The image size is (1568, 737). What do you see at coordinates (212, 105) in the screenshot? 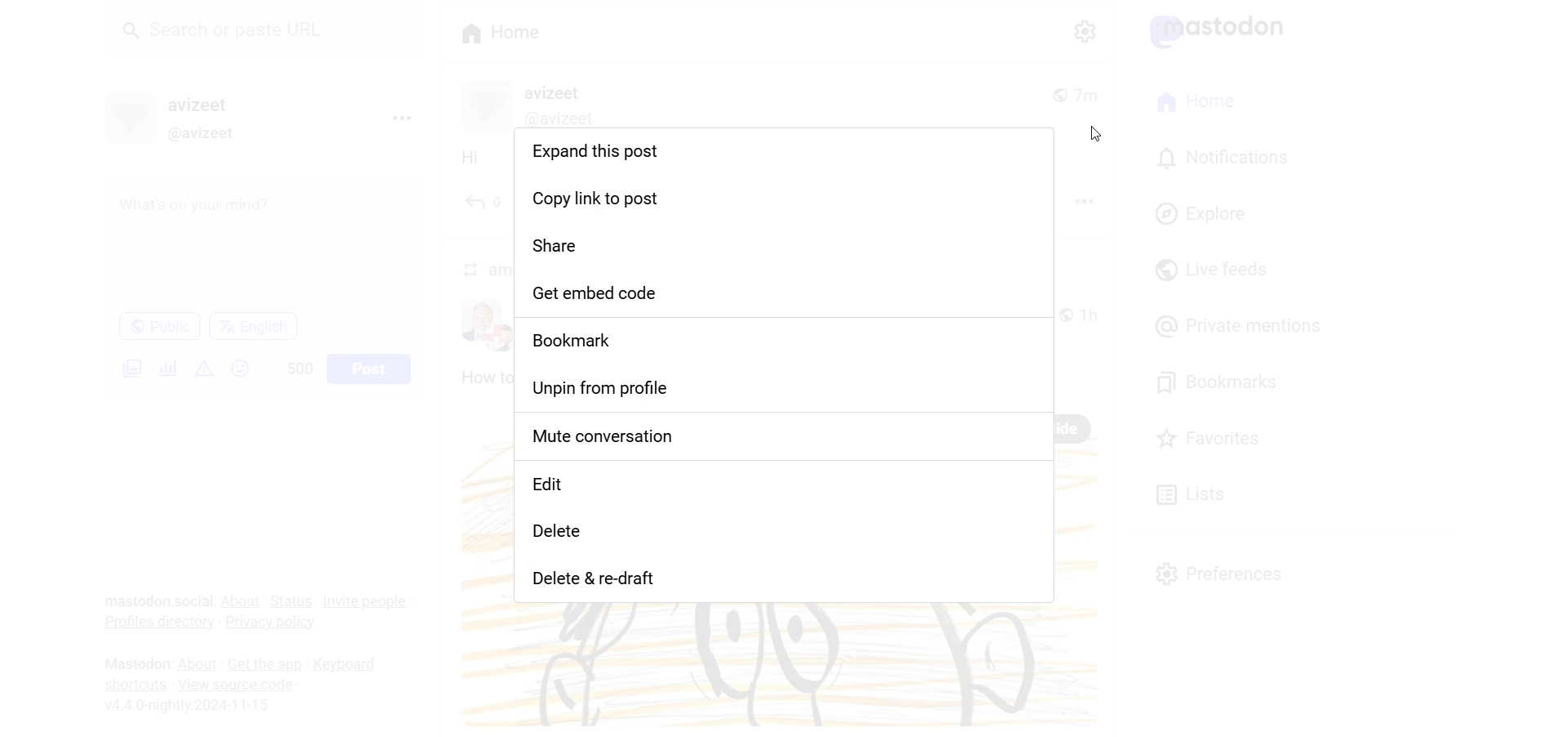
I see `User` at bounding box center [212, 105].